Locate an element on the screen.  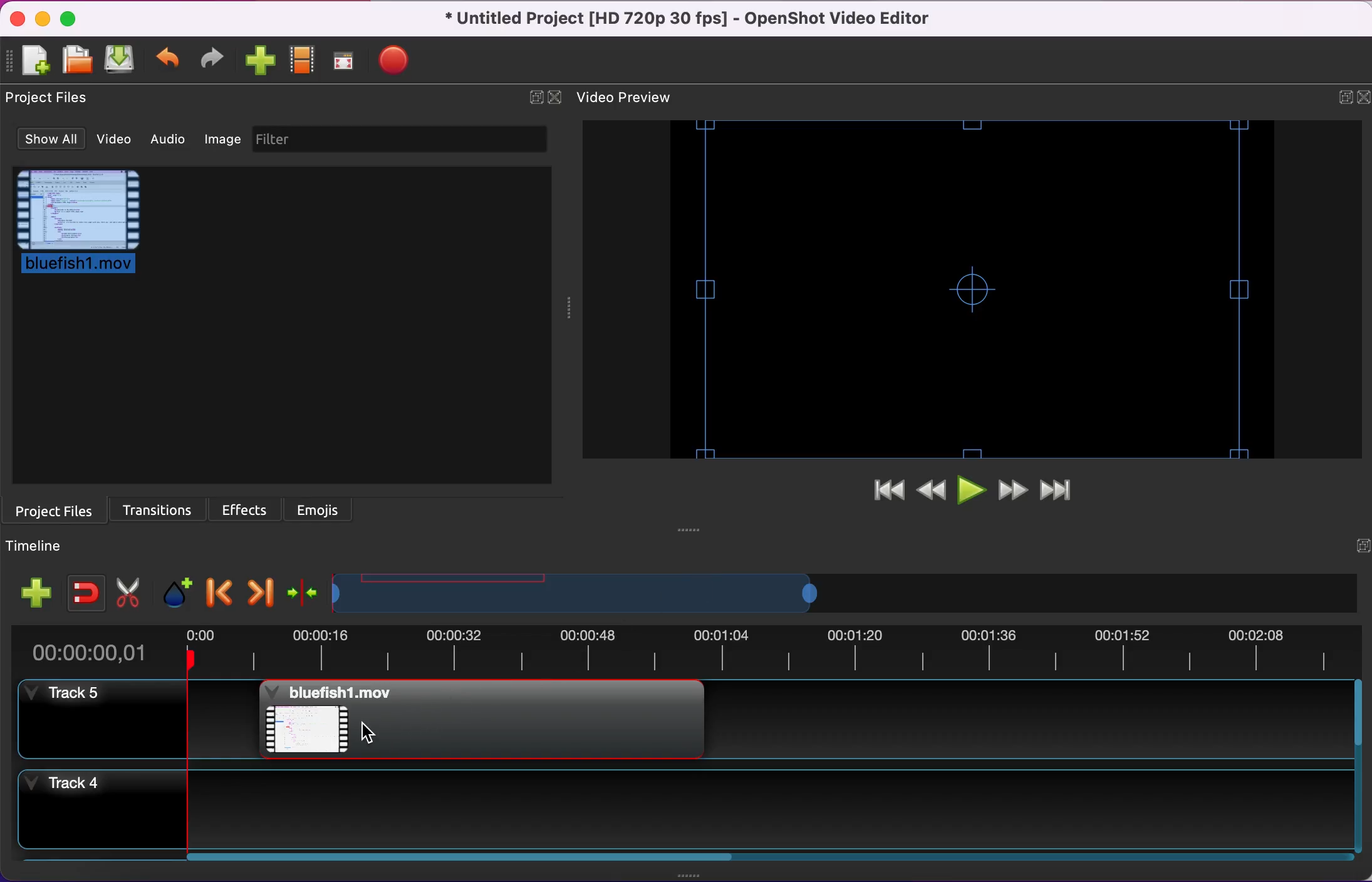
expand/hide is located at coordinates (1361, 546).